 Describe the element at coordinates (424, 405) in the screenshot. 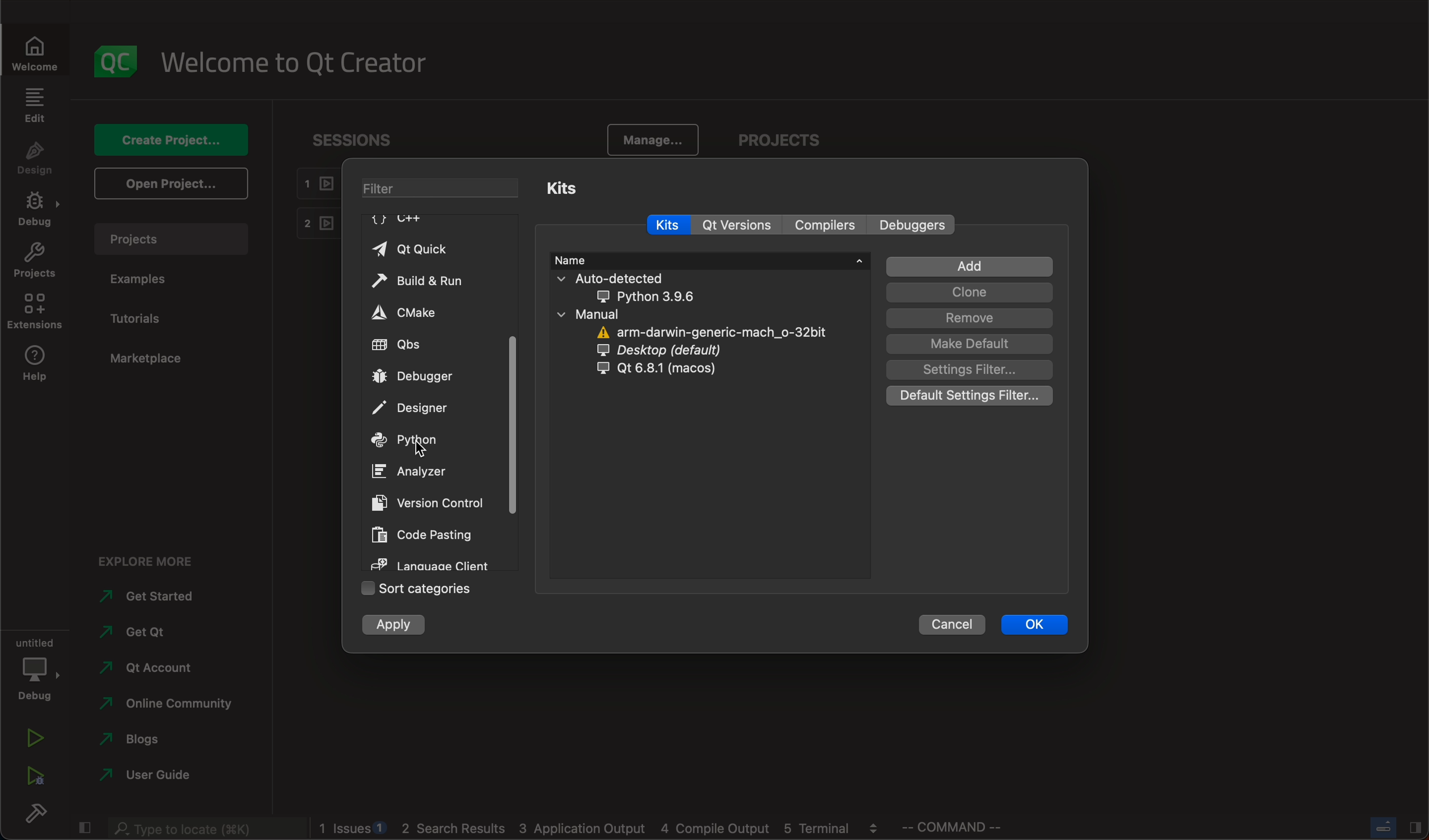

I see `designer` at that location.